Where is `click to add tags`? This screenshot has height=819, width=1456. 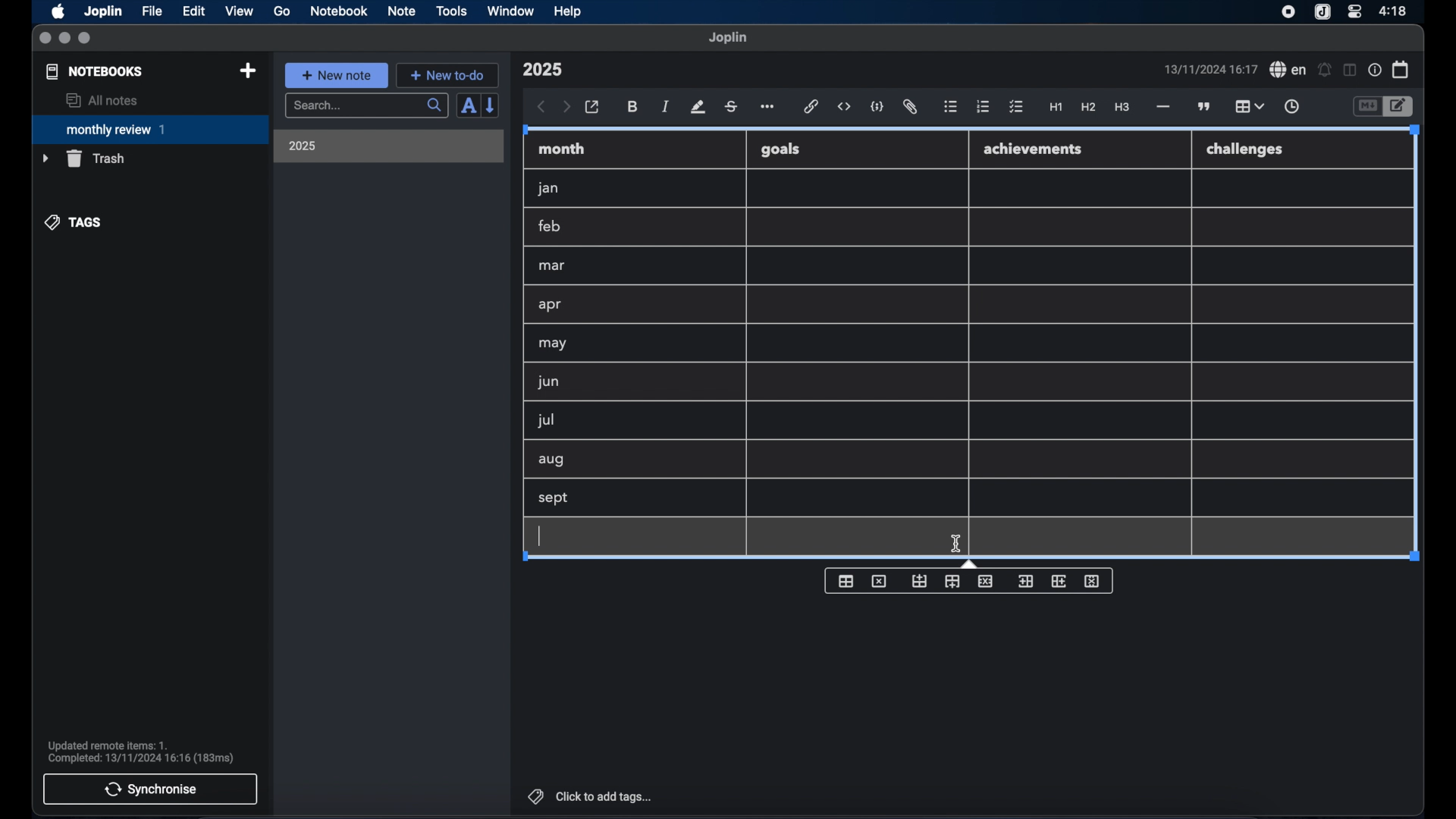
click to add tags is located at coordinates (591, 796).